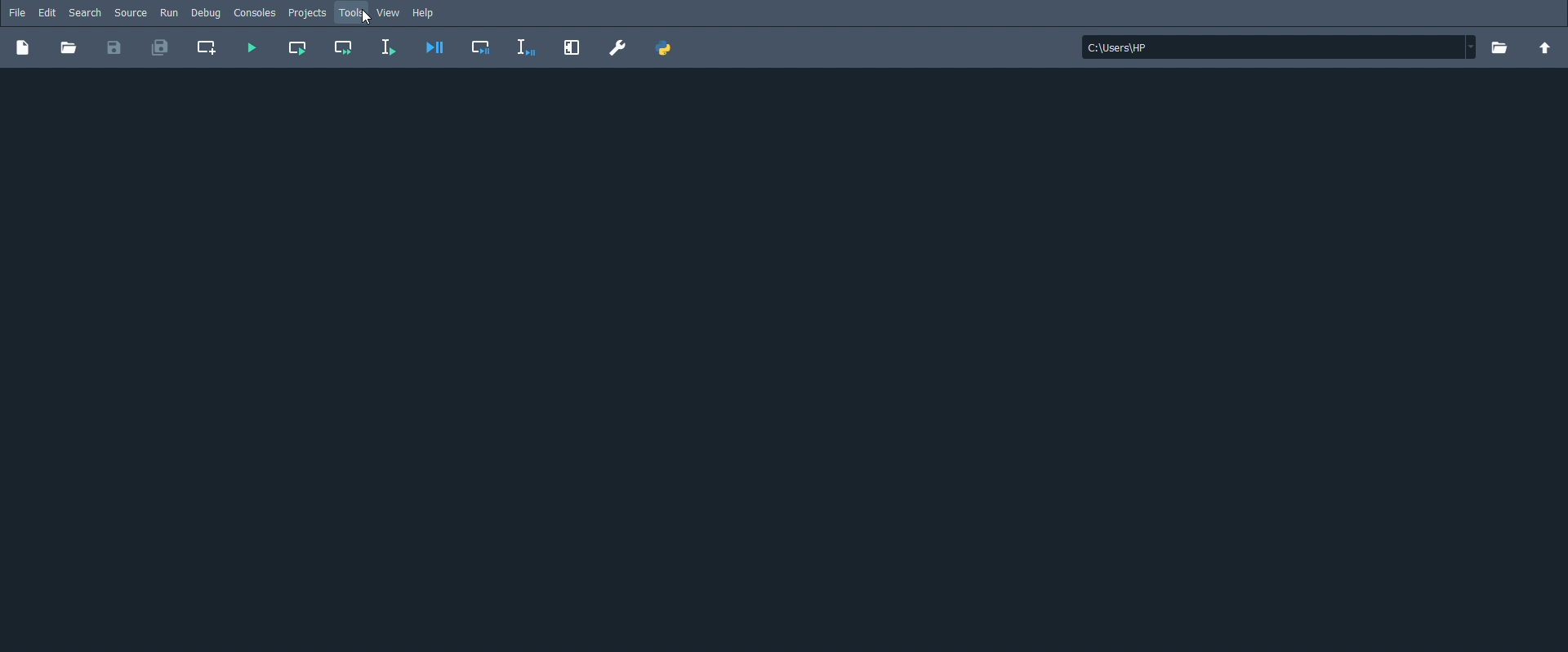 This screenshot has width=1568, height=652. What do you see at coordinates (352, 13) in the screenshot?
I see `Tools` at bounding box center [352, 13].